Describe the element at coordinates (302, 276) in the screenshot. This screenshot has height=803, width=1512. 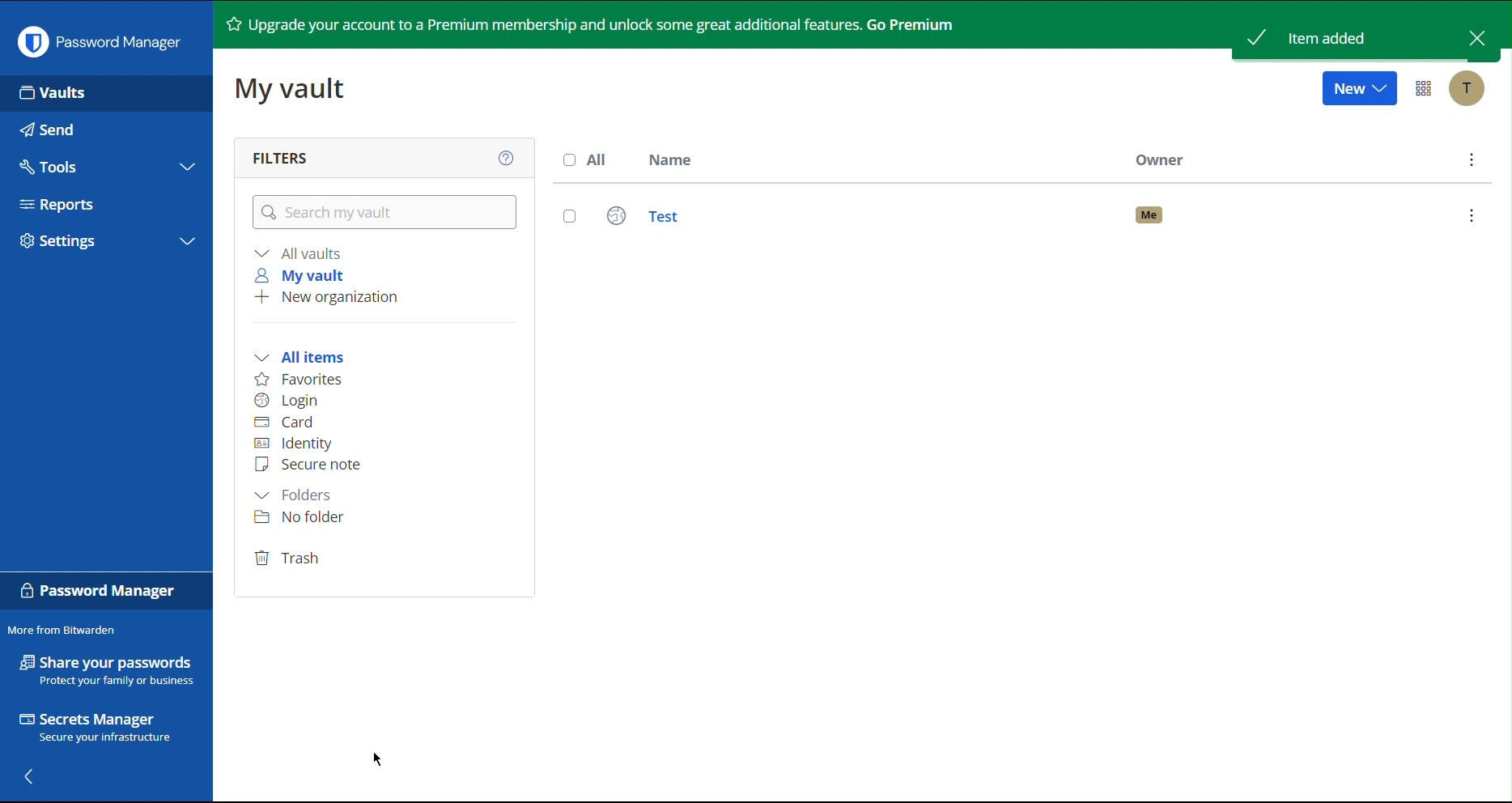
I see `My vault` at that location.